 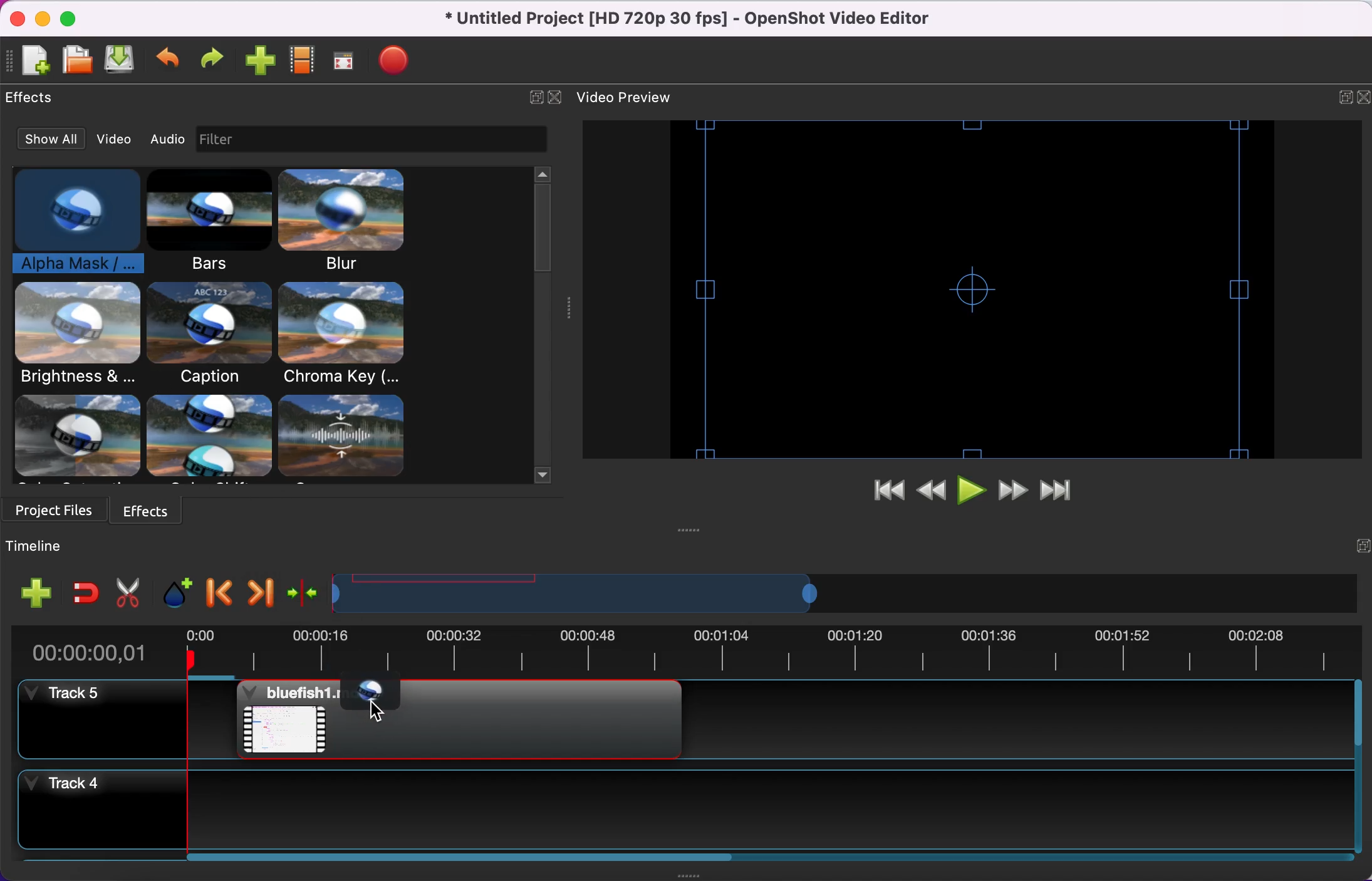 What do you see at coordinates (690, 726) in the screenshot?
I see `track 5` at bounding box center [690, 726].